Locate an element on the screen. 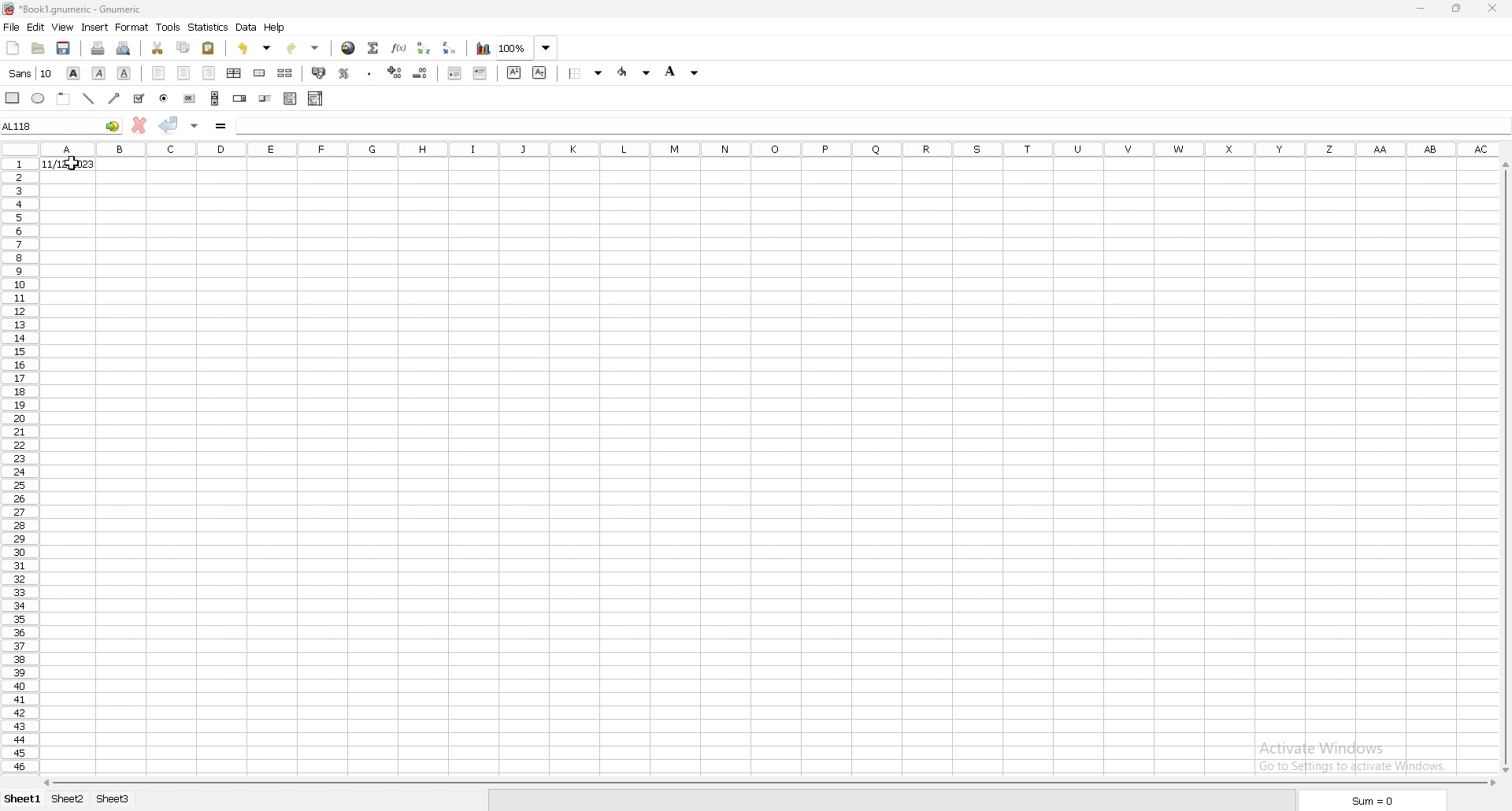  scroll bar is located at coordinates (1503, 467).